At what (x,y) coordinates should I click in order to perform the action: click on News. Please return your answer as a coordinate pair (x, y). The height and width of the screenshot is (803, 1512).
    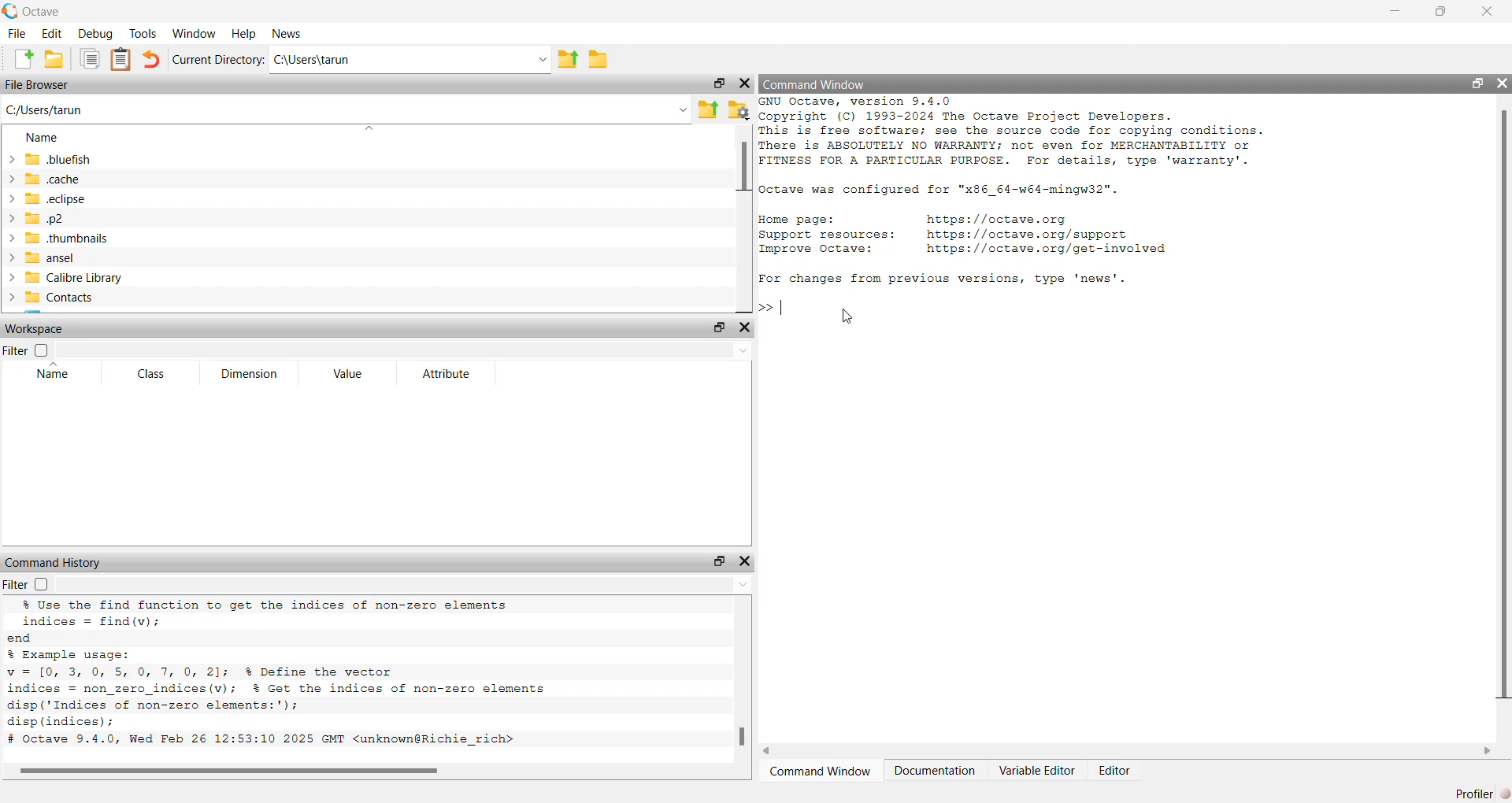
    Looking at the image, I should click on (291, 35).